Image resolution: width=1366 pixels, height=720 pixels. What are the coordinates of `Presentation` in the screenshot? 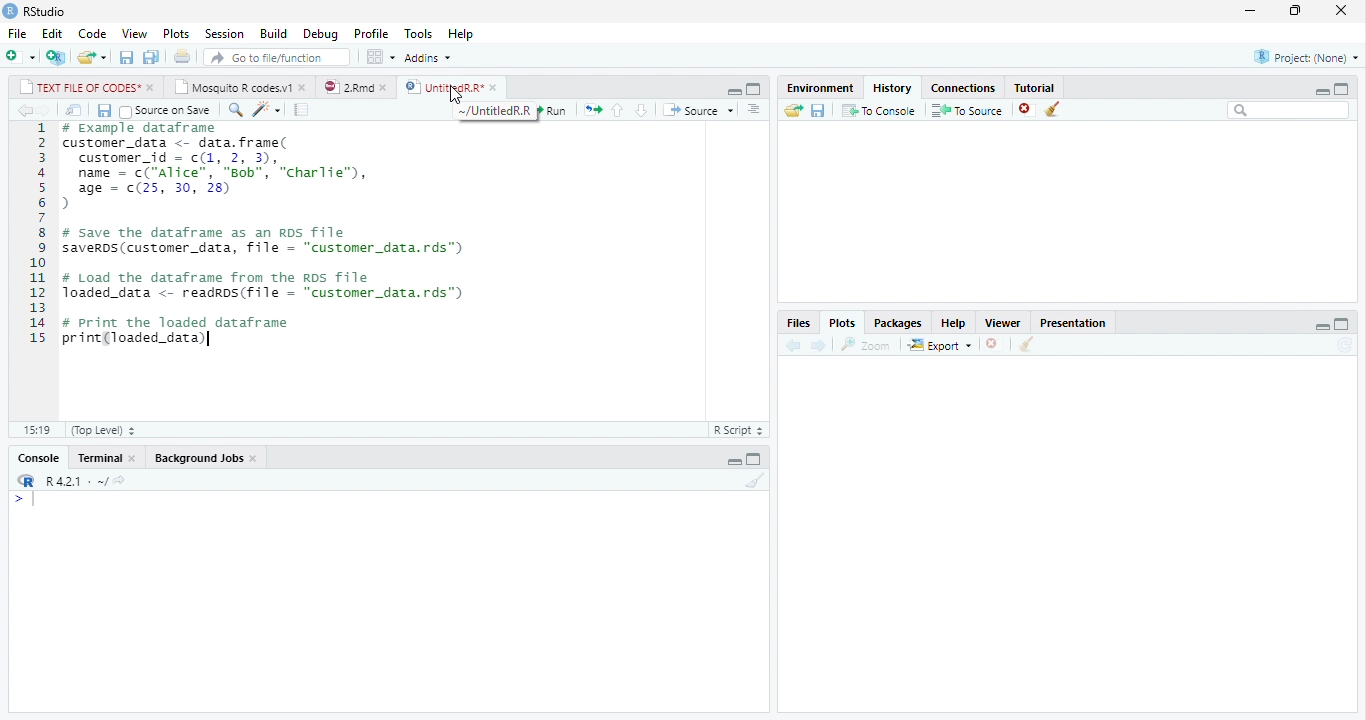 It's located at (1072, 322).